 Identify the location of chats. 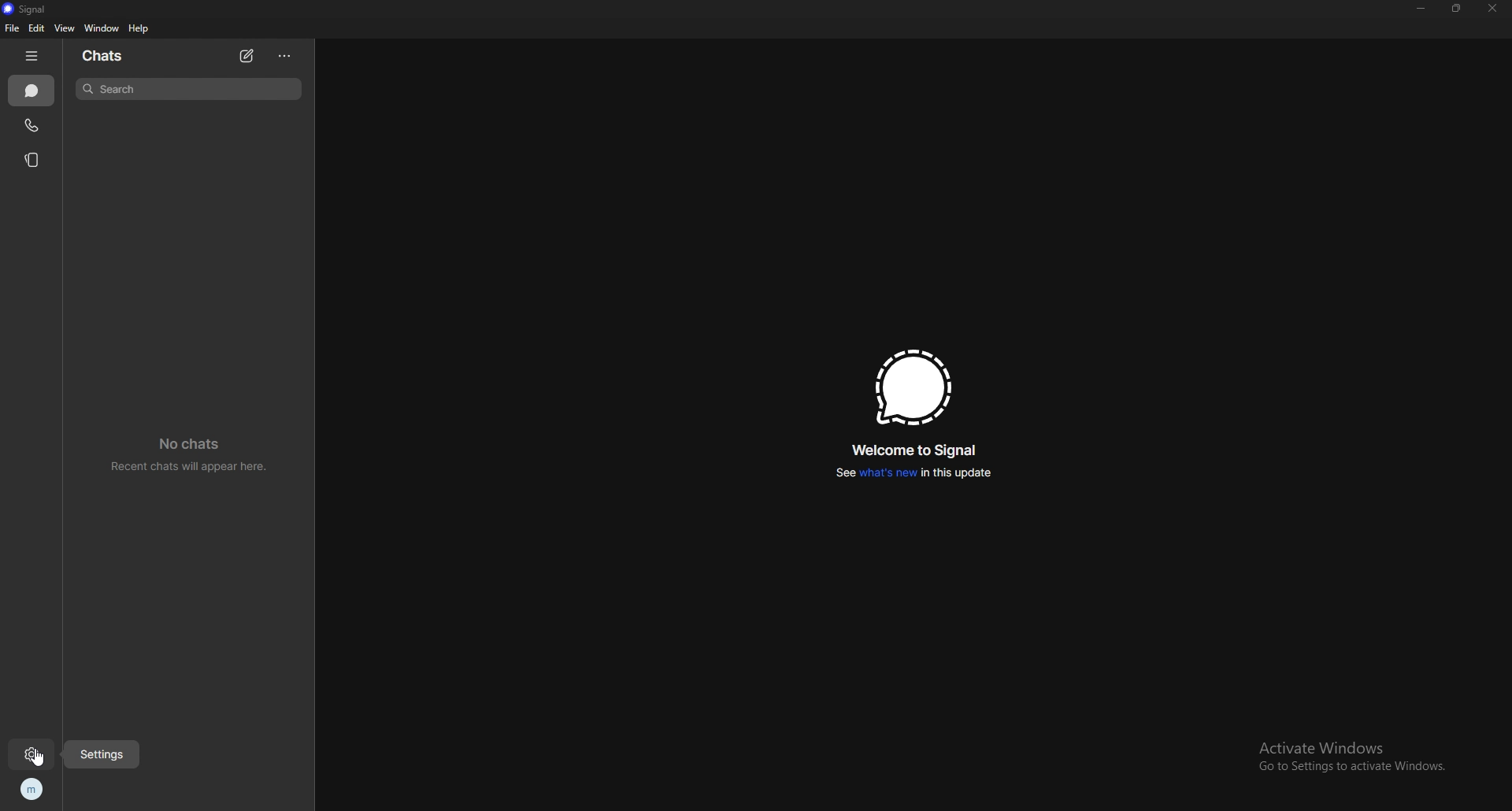
(104, 56).